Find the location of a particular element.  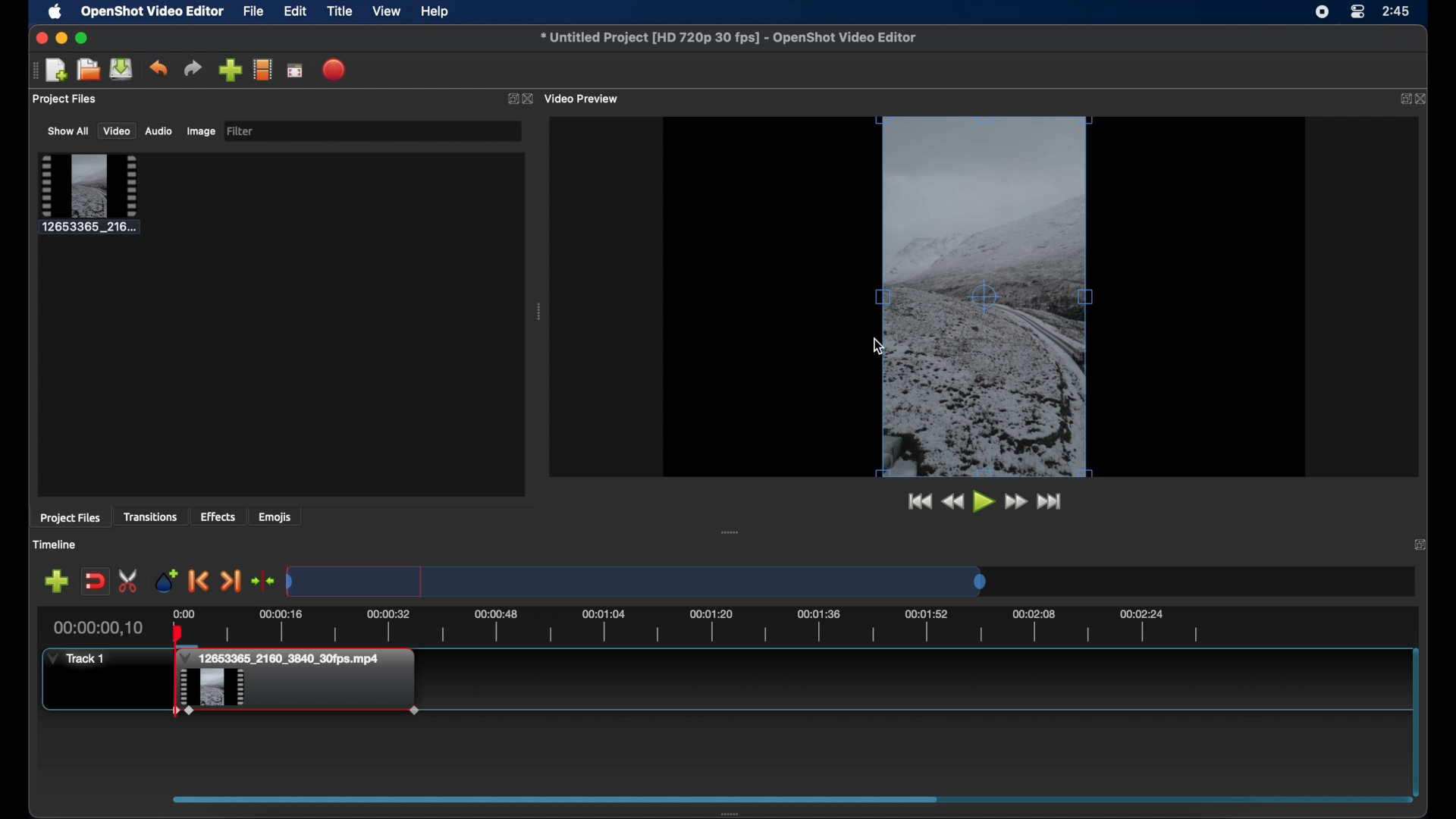

export video is located at coordinates (334, 71).